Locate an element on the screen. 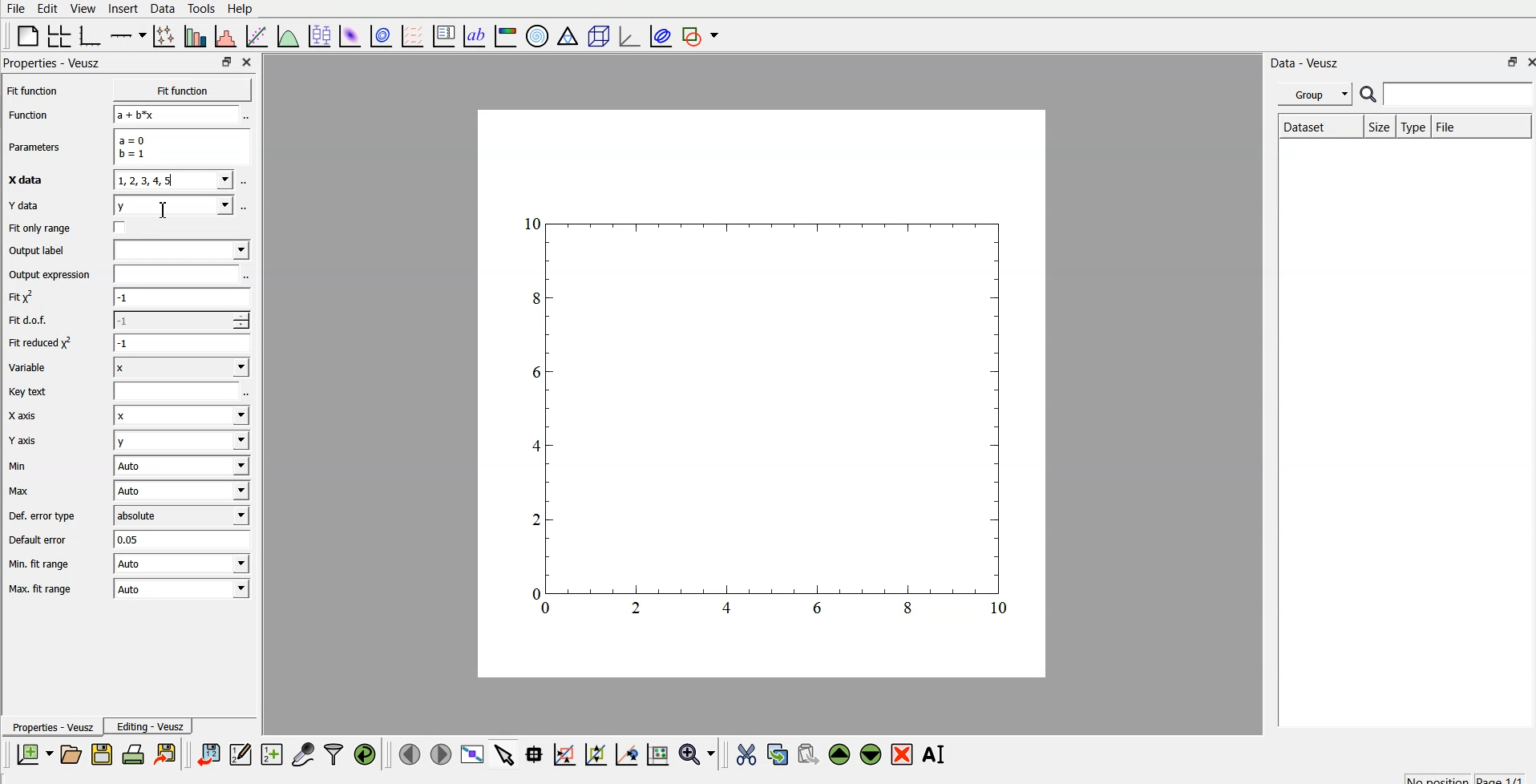  insert is located at coordinates (121, 8).